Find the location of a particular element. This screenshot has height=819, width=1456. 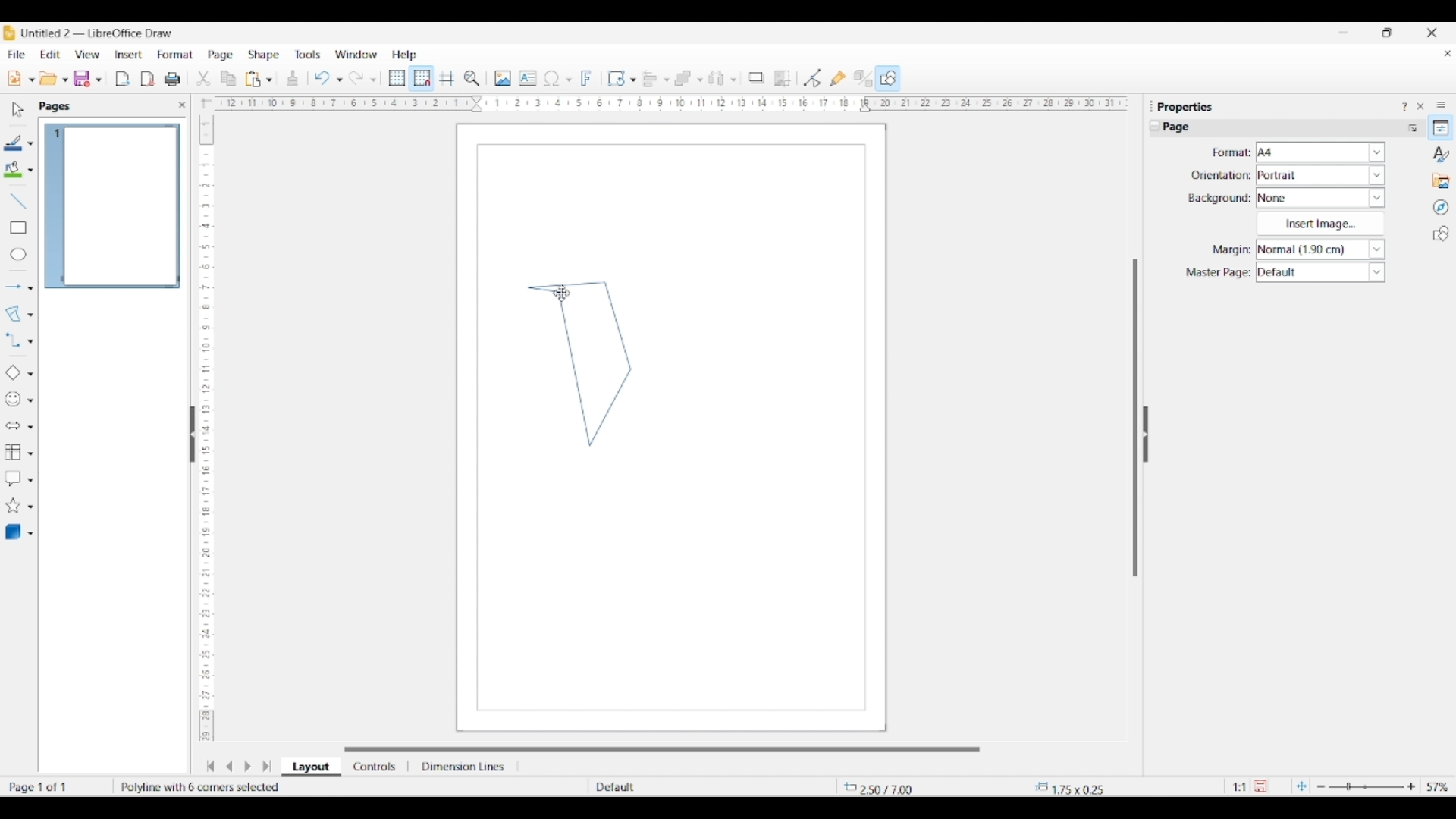

Properties is located at coordinates (1441, 127).